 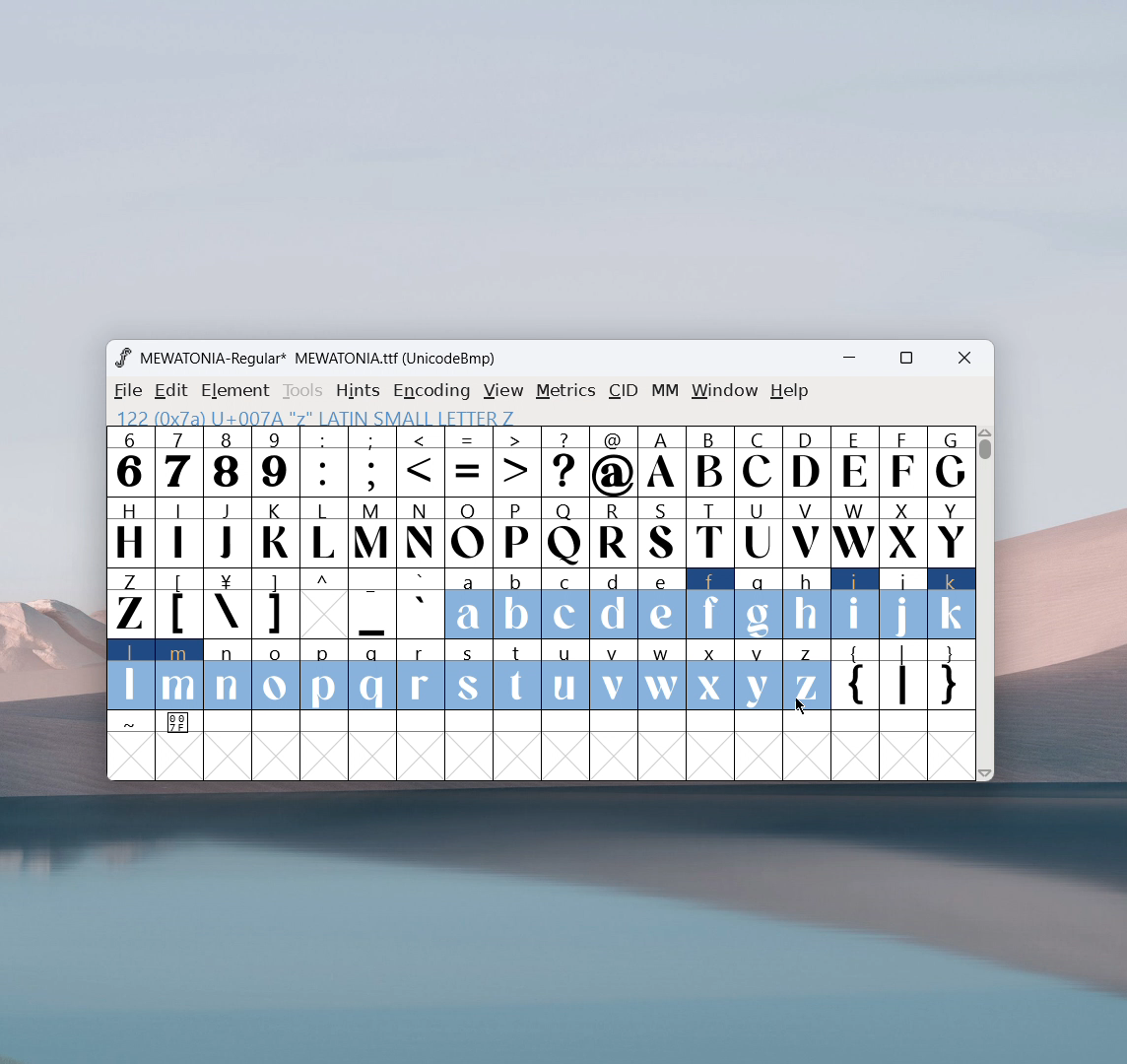 I want to click on ], so click(x=275, y=604).